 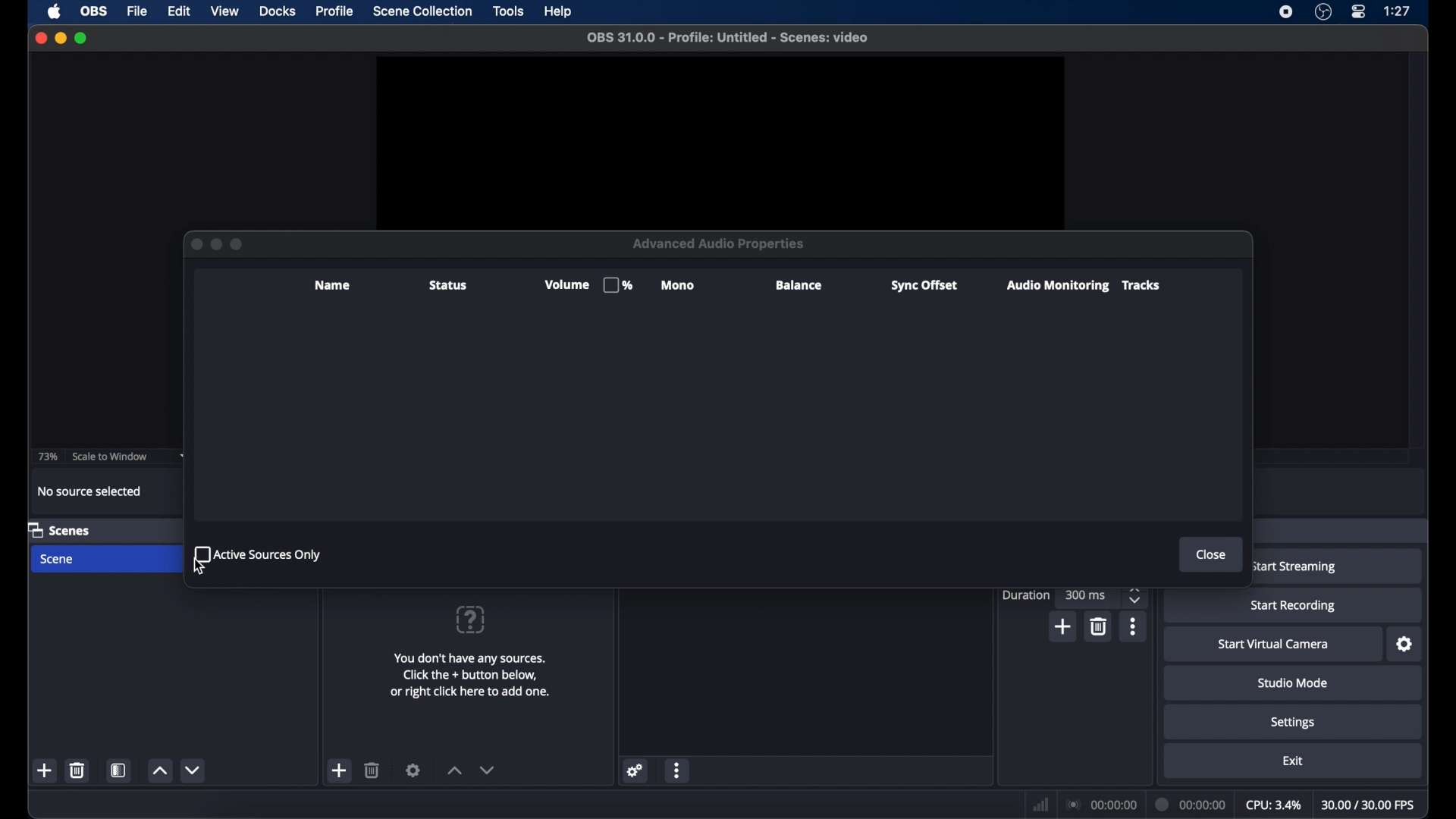 I want to click on file name, so click(x=730, y=38).